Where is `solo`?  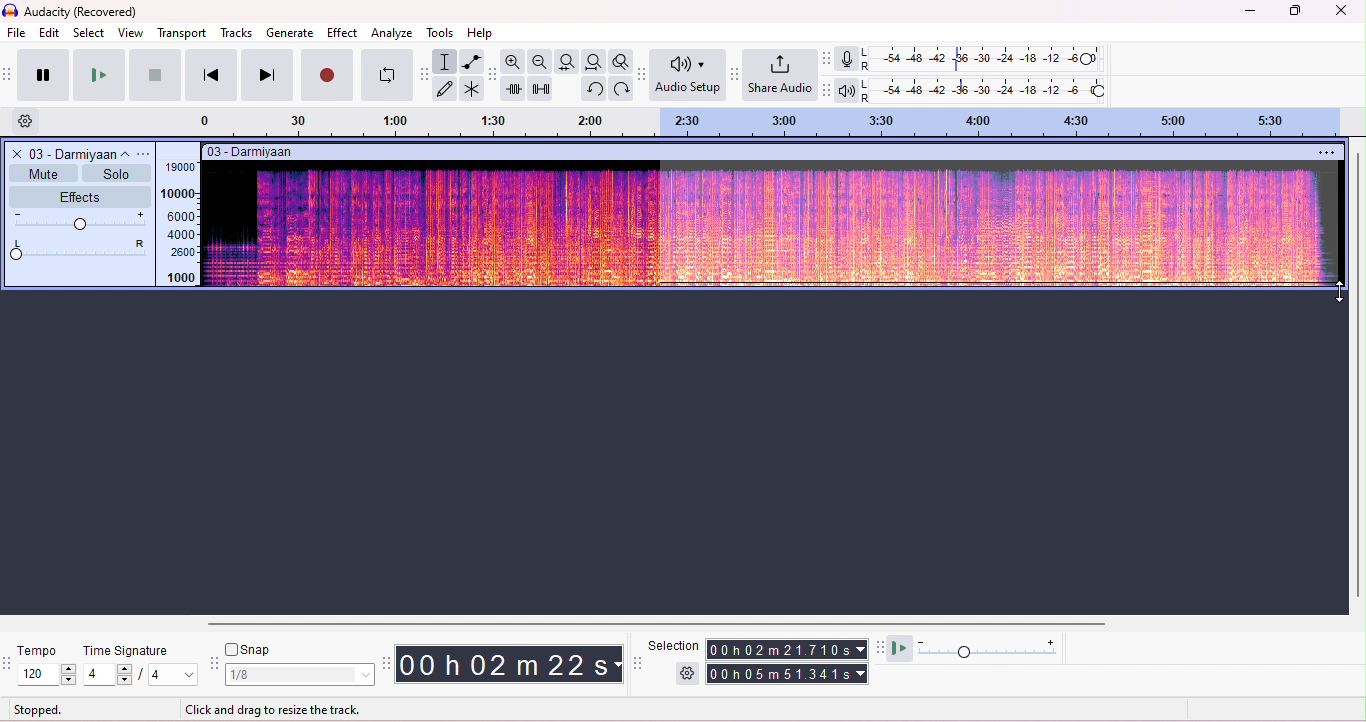 solo is located at coordinates (114, 173).